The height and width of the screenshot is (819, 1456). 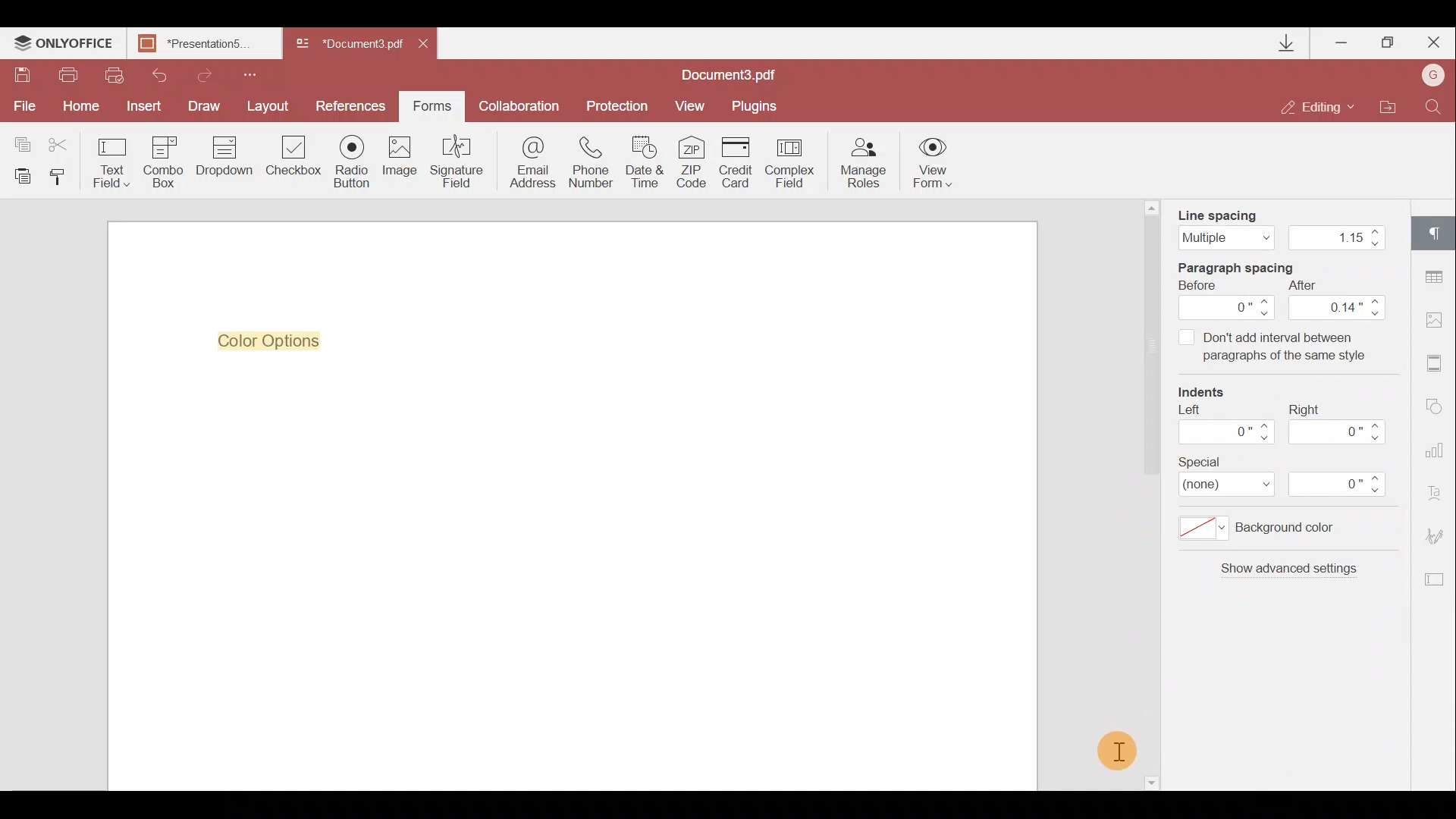 I want to click on Document name, so click(x=347, y=45).